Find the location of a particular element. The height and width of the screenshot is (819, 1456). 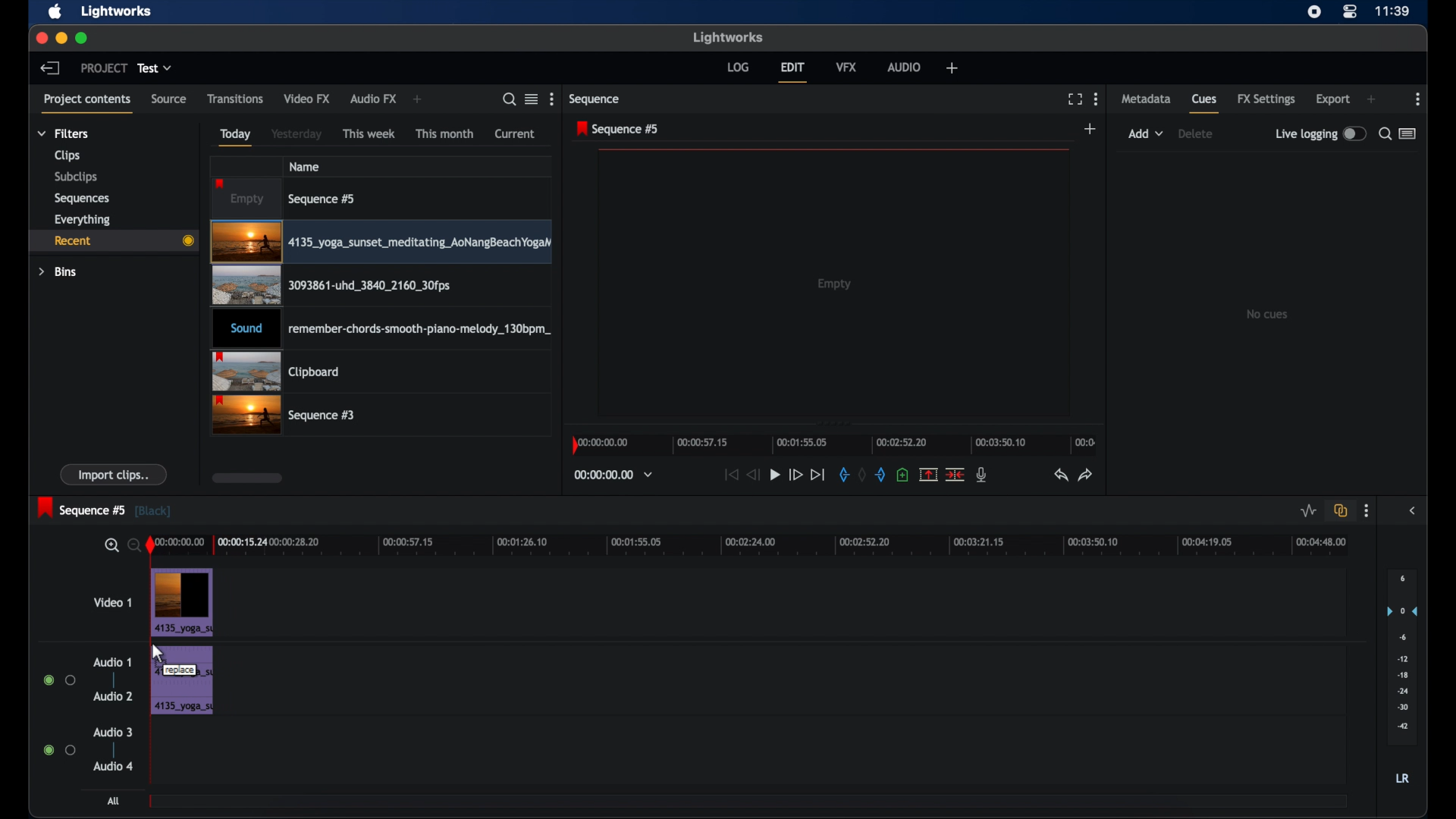

edit is located at coordinates (792, 71).